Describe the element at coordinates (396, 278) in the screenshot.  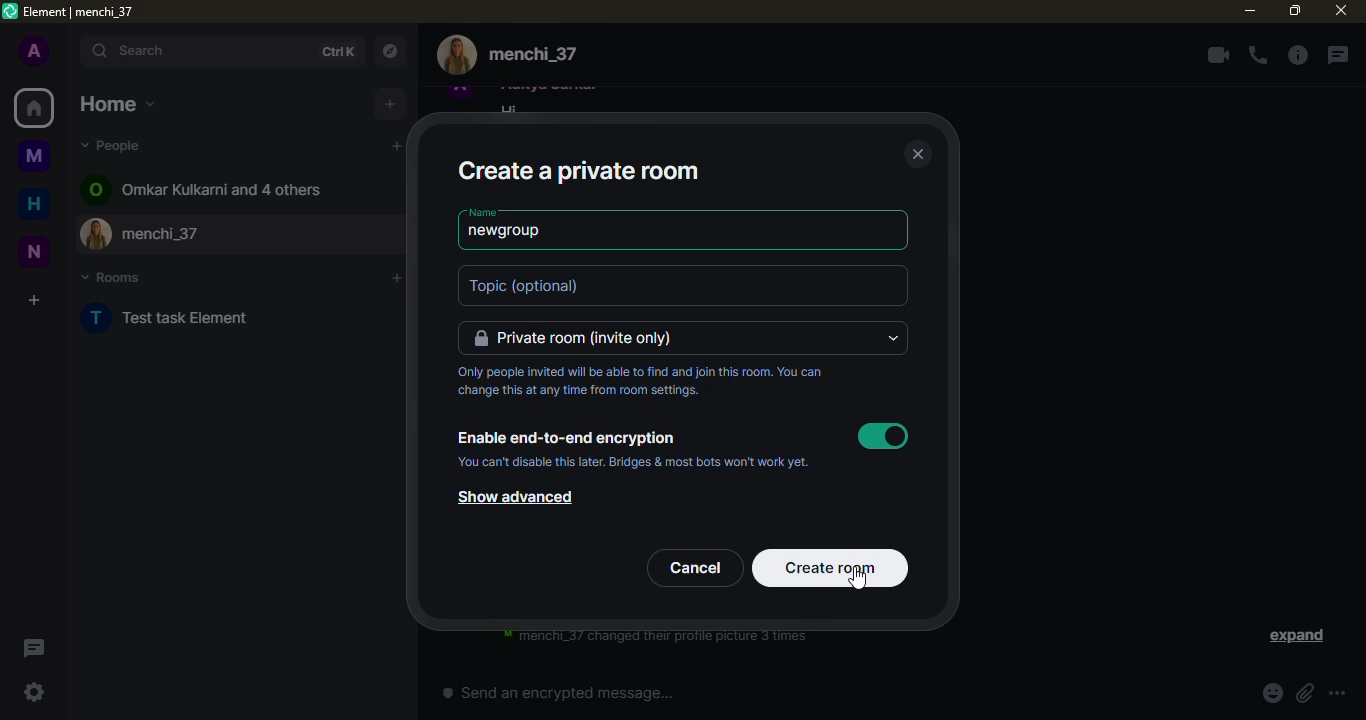
I see `add` at that location.